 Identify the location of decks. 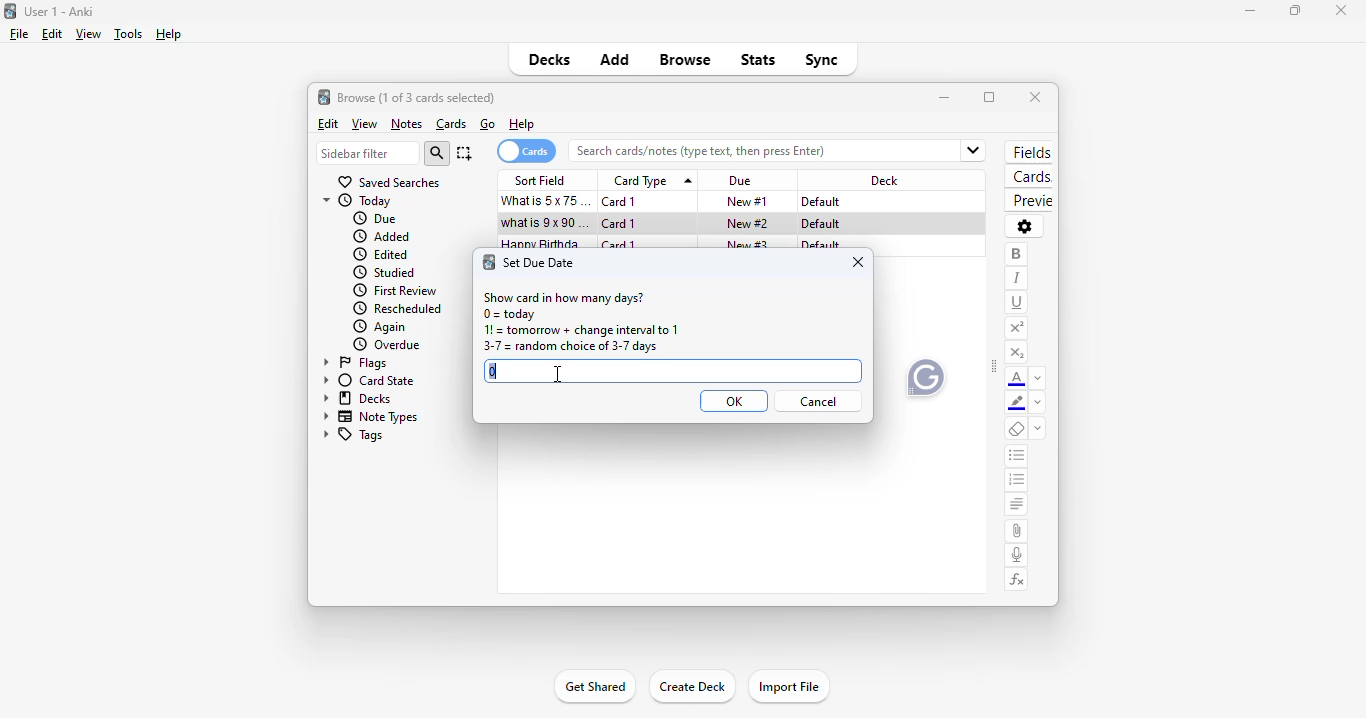
(550, 59).